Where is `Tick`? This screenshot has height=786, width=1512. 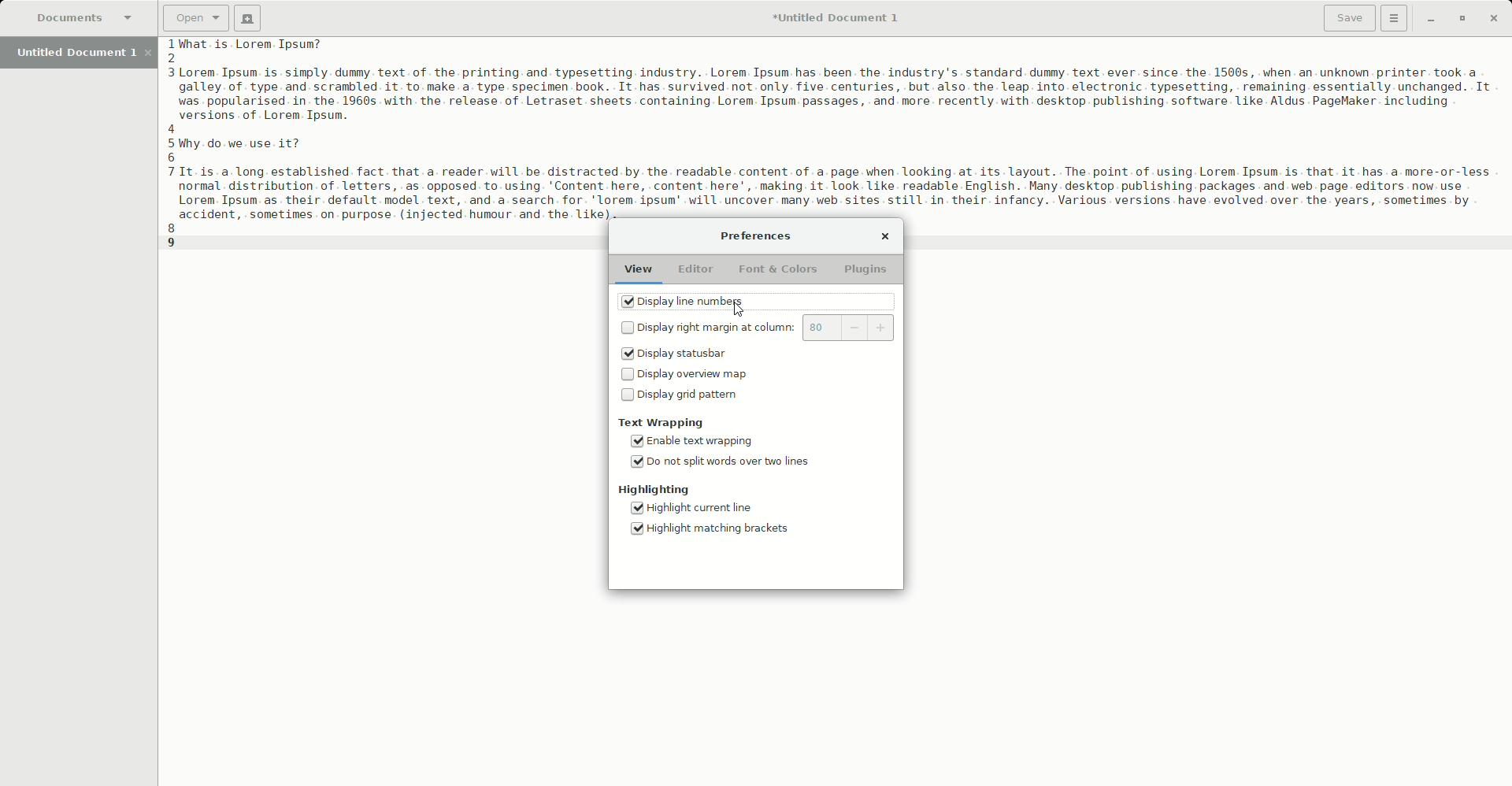
Tick is located at coordinates (626, 302).